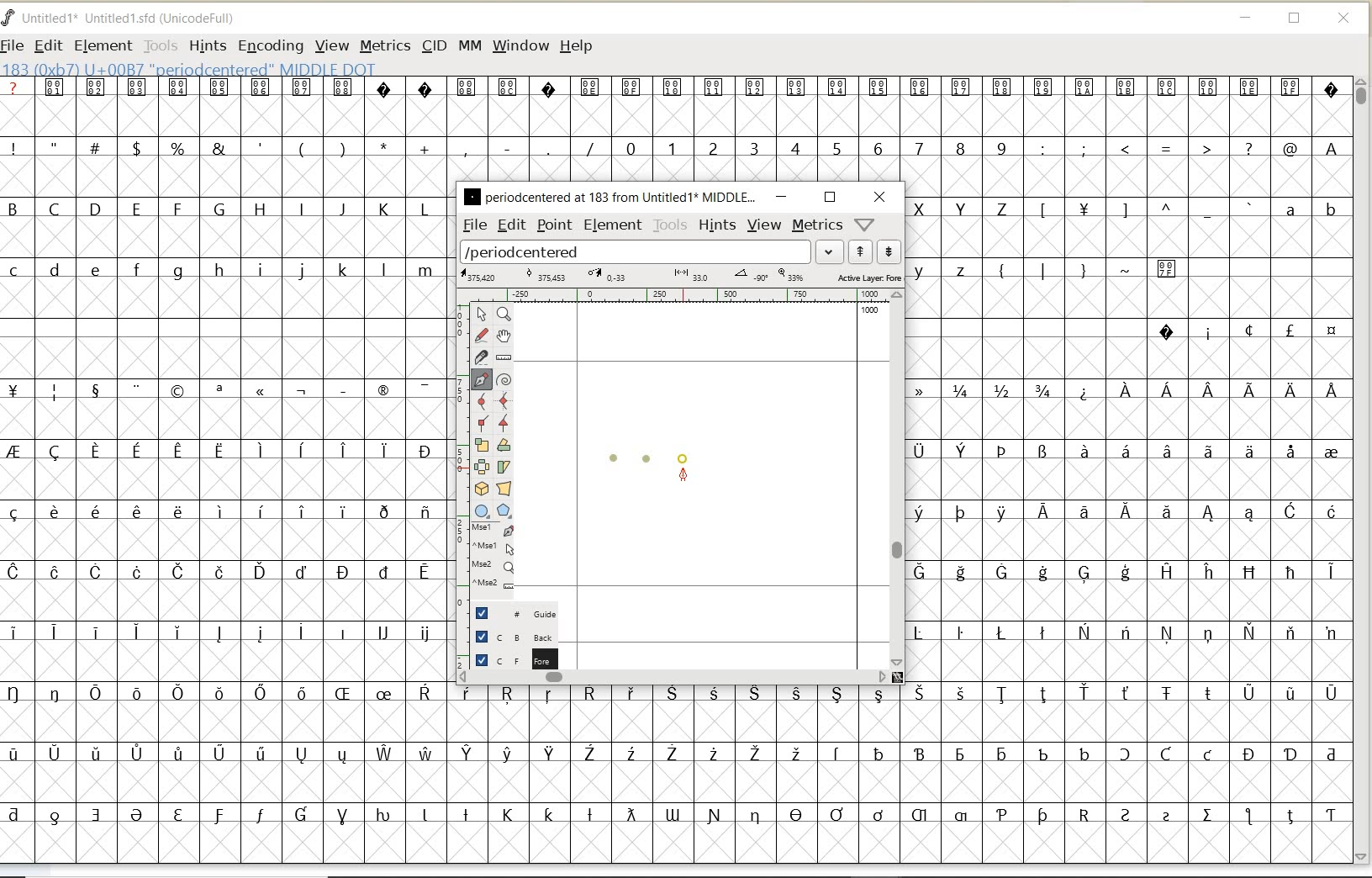 The width and height of the screenshot is (1372, 878). I want to click on SCROLLBAR, so click(1364, 470).